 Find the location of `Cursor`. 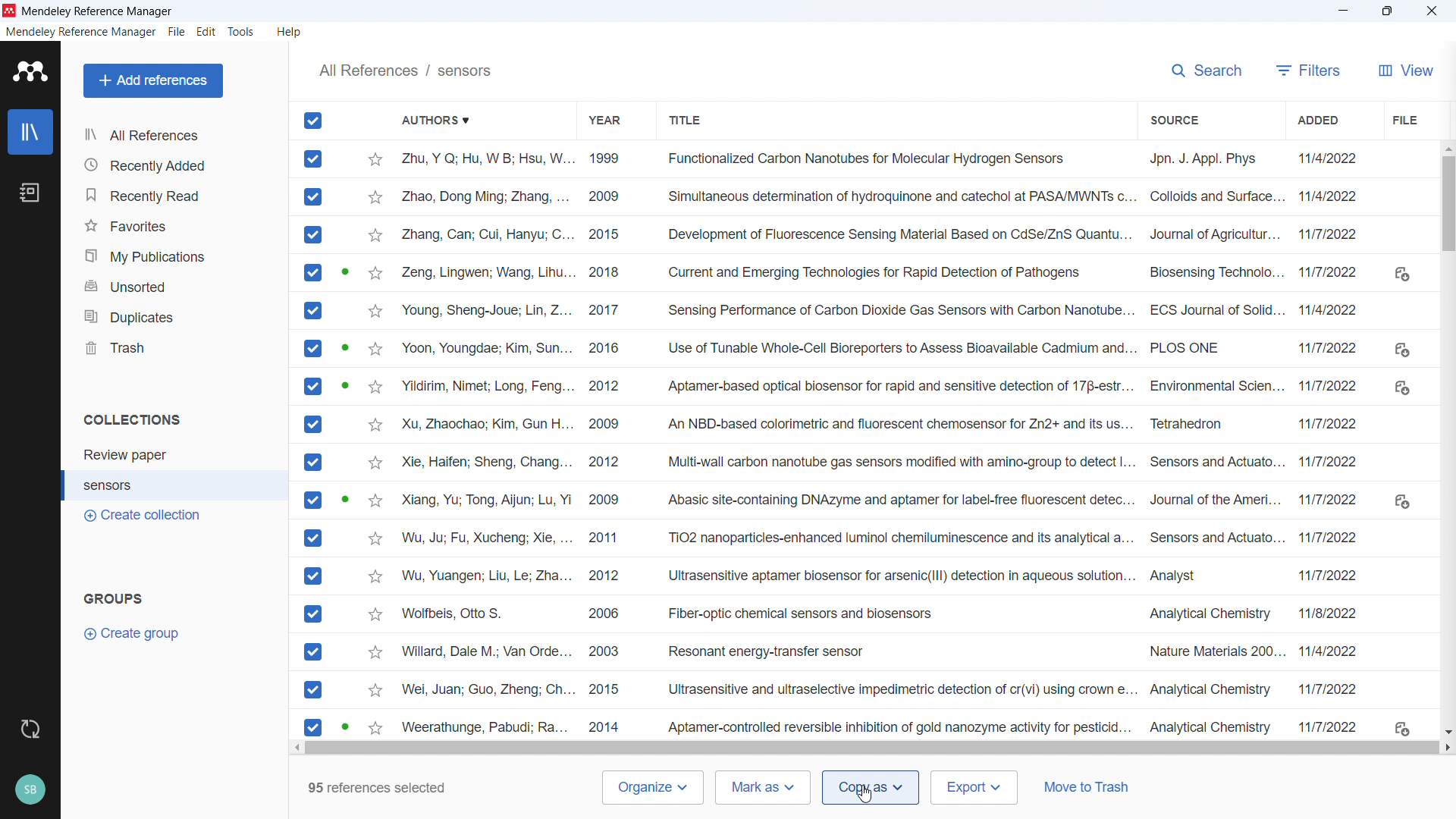

Cursor is located at coordinates (864, 794).